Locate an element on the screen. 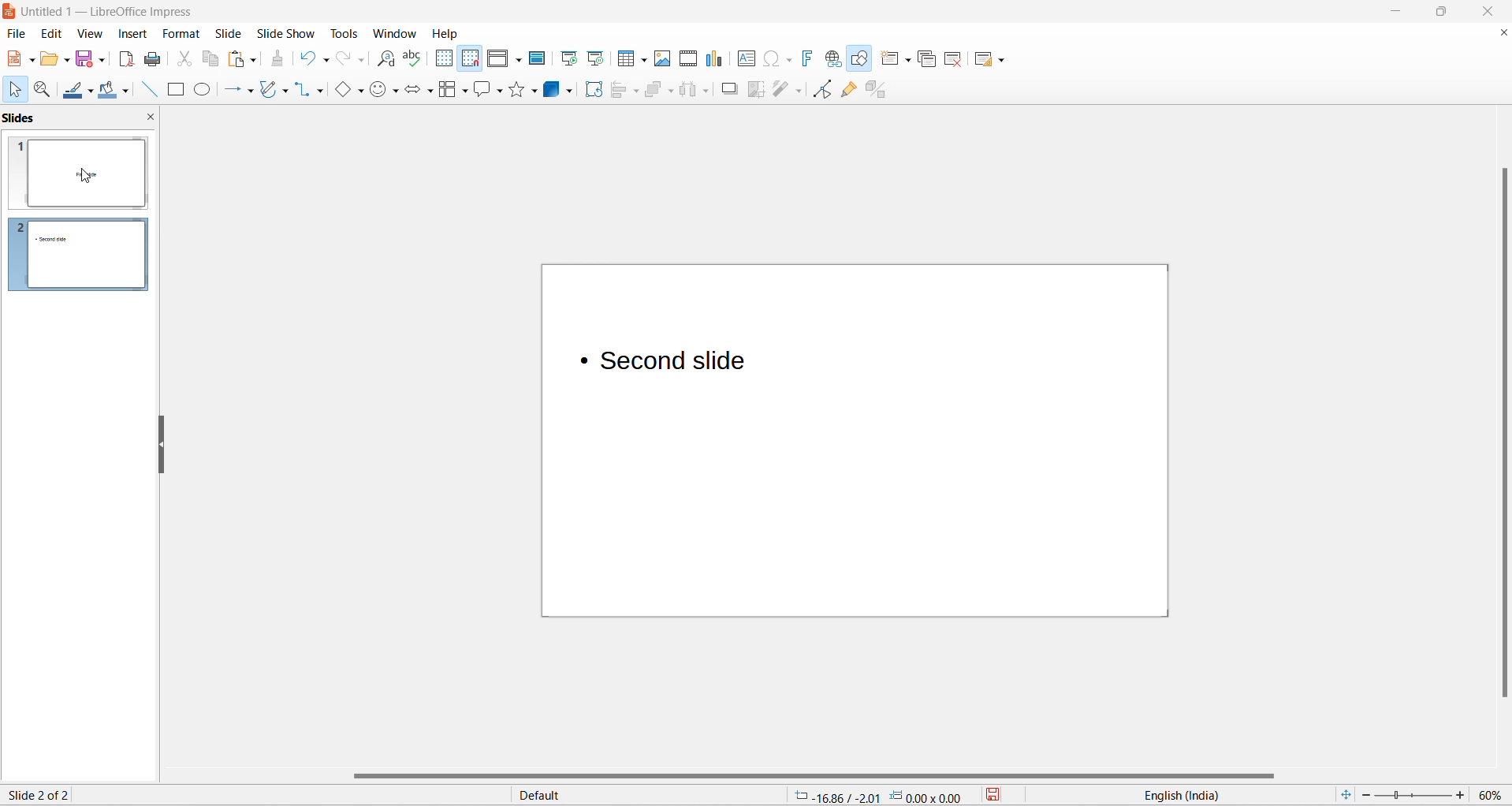 This screenshot has width=1512, height=806. insert text is located at coordinates (748, 58).